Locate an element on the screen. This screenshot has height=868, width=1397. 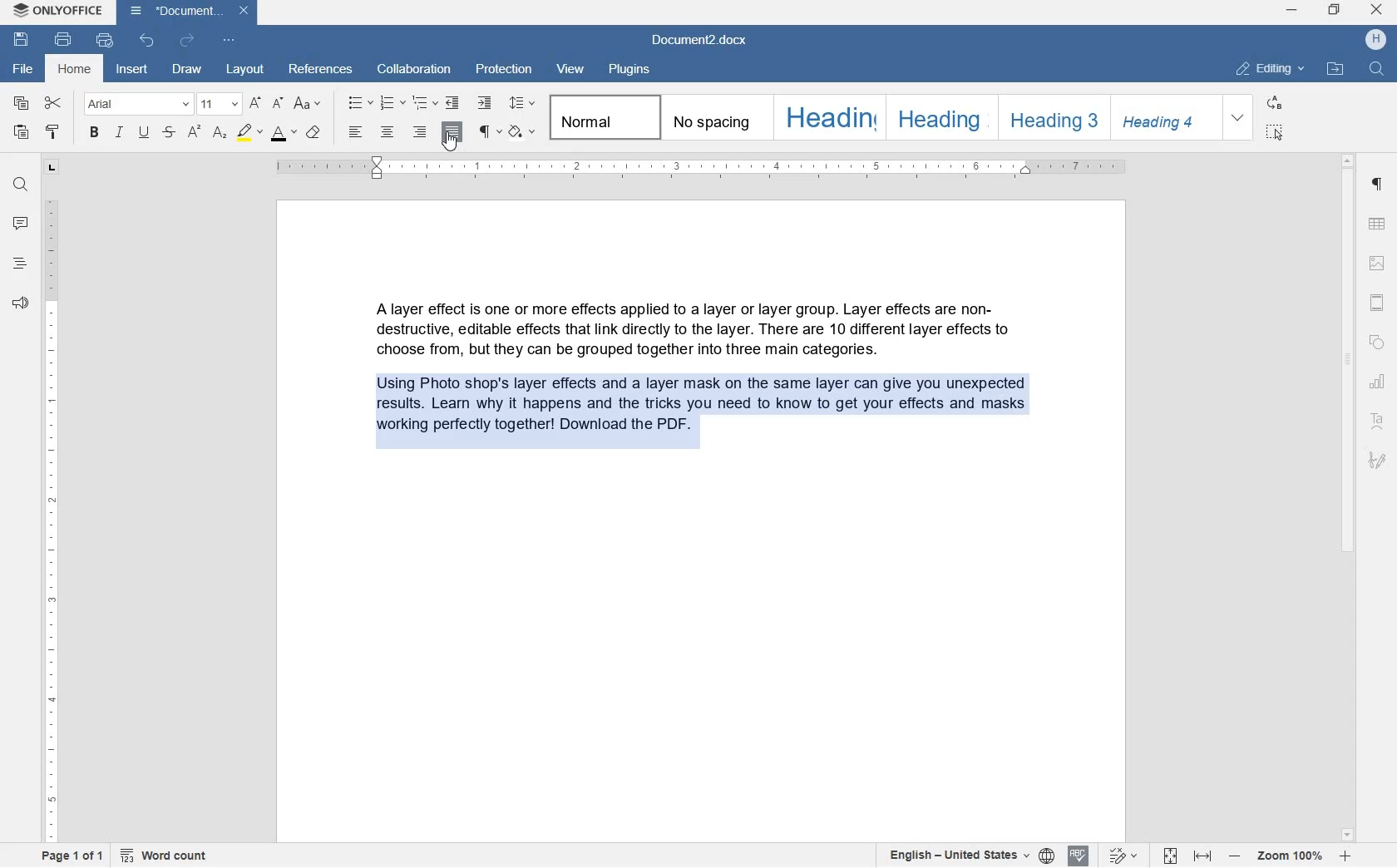
EXPAND FORMATTING STYLE is located at coordinates (1239, 118).